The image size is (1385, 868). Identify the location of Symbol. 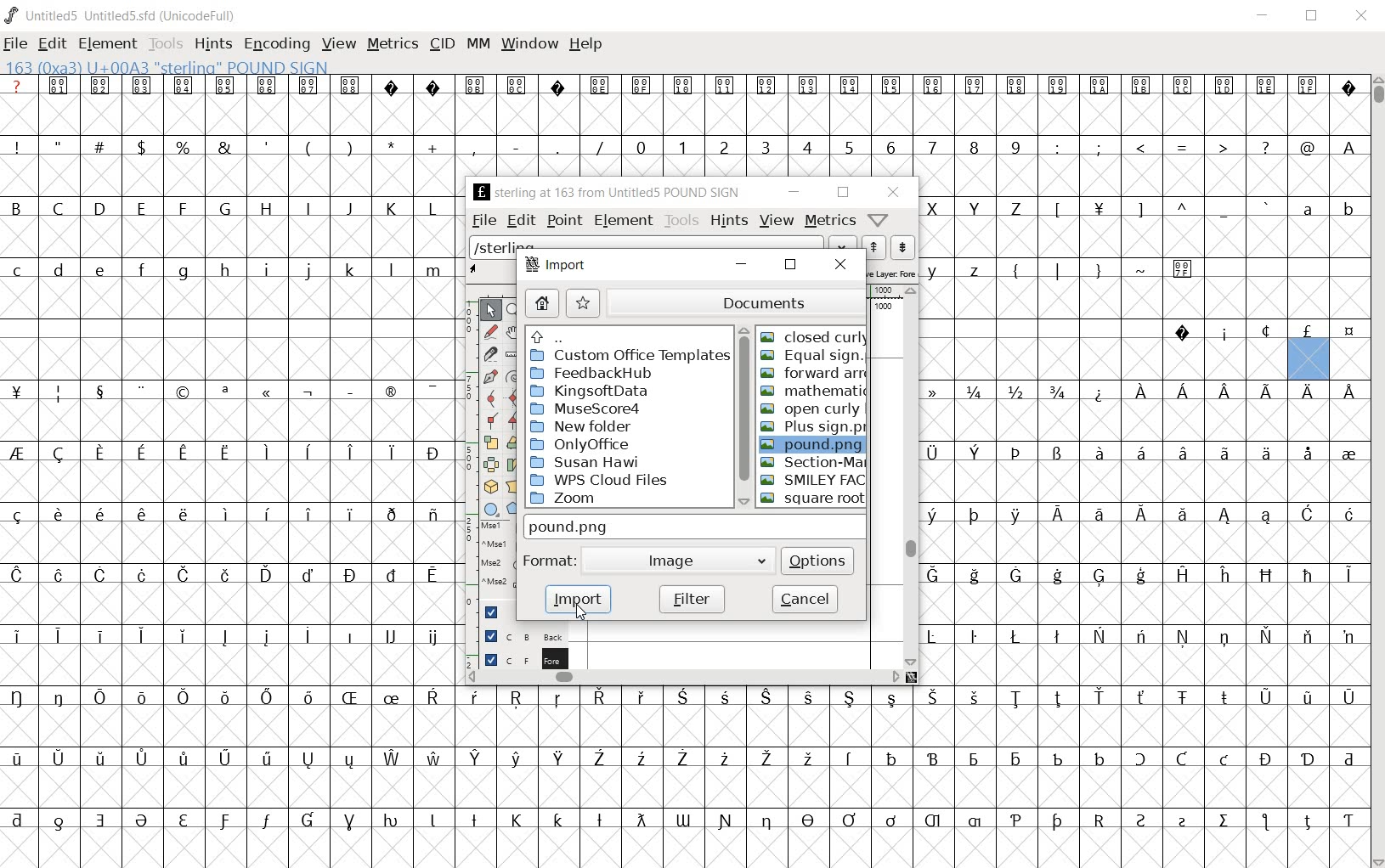
(1056, 758).